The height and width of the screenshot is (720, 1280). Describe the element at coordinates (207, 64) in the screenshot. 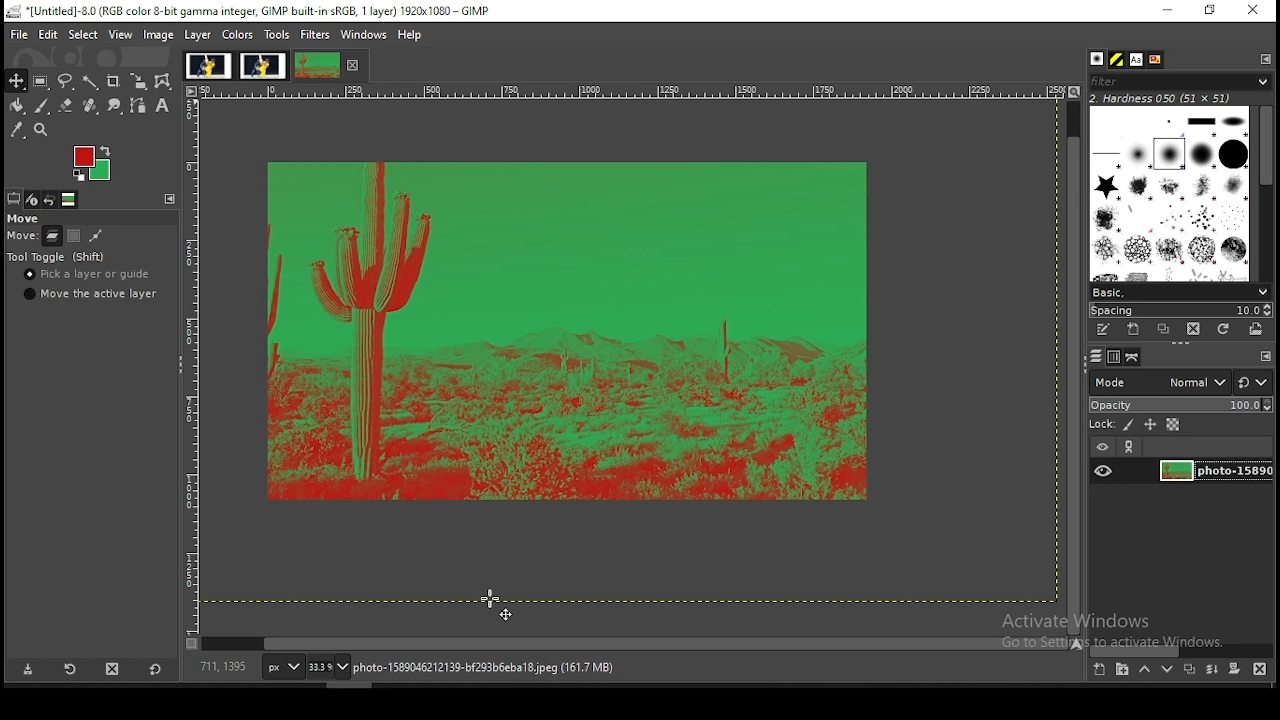

I see `image` at that location.